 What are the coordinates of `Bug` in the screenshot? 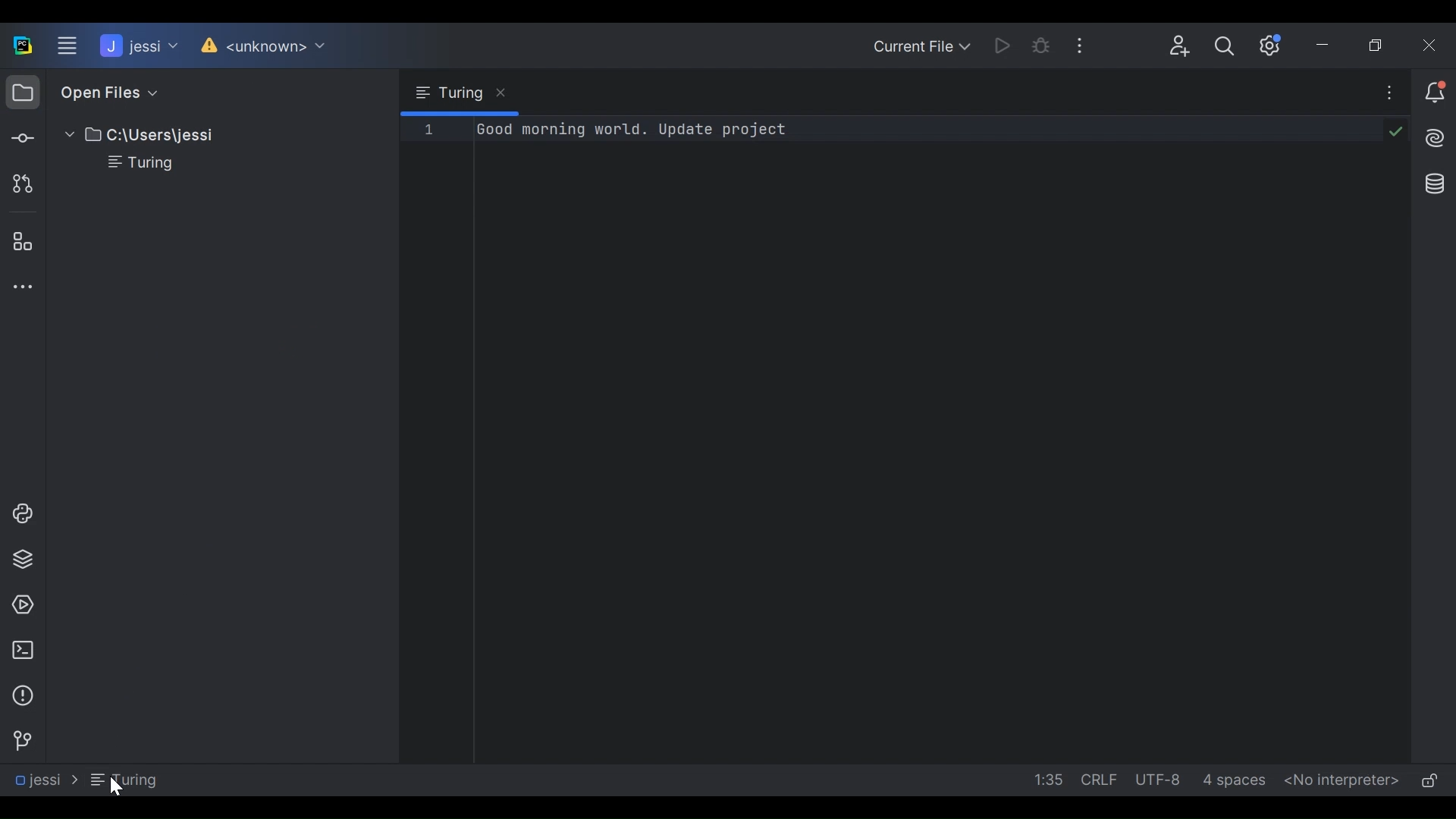 It's located at (1042, 44).